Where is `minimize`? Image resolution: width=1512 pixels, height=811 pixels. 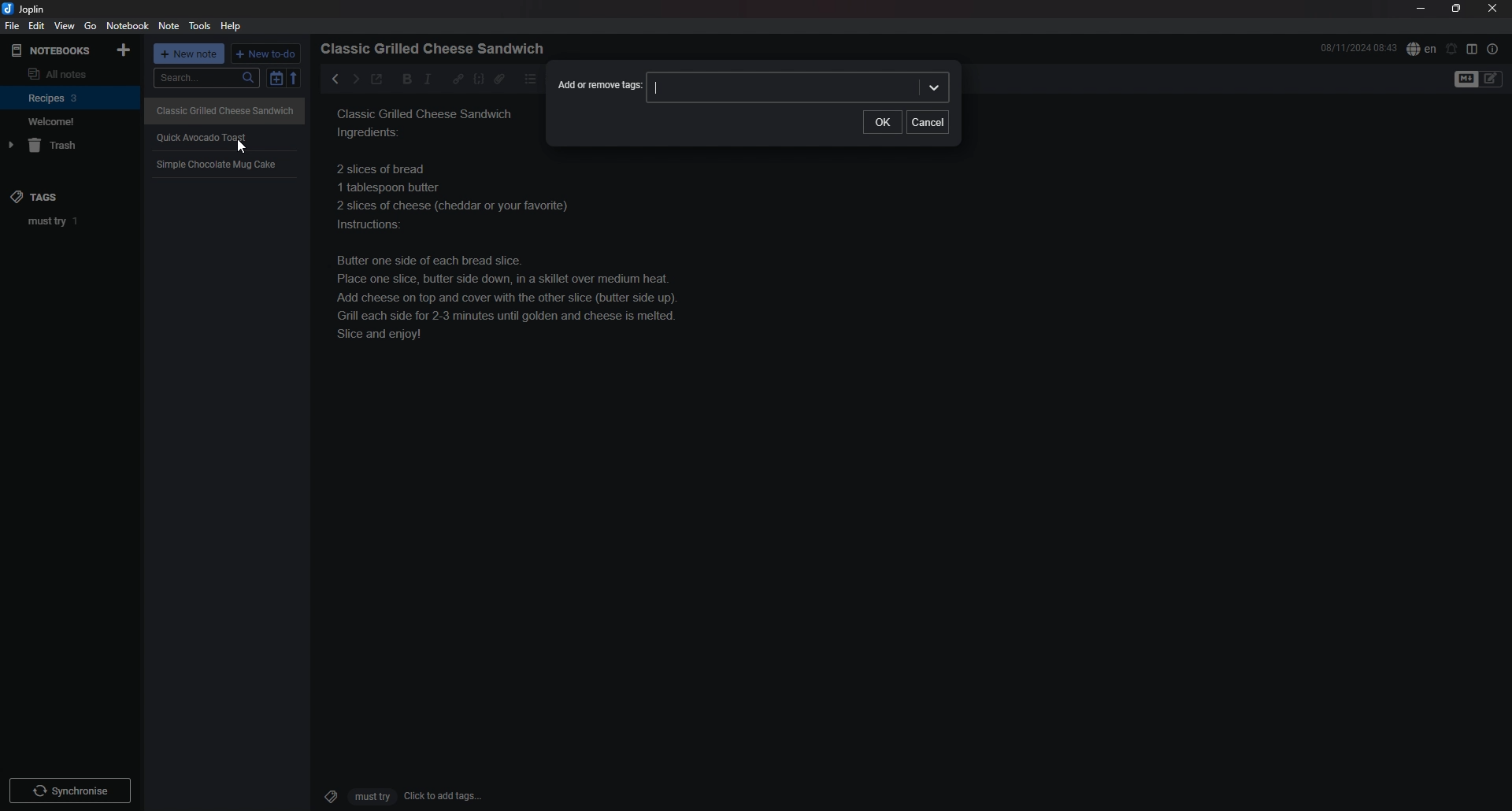 minimize is located at coordinates (1421, 9).